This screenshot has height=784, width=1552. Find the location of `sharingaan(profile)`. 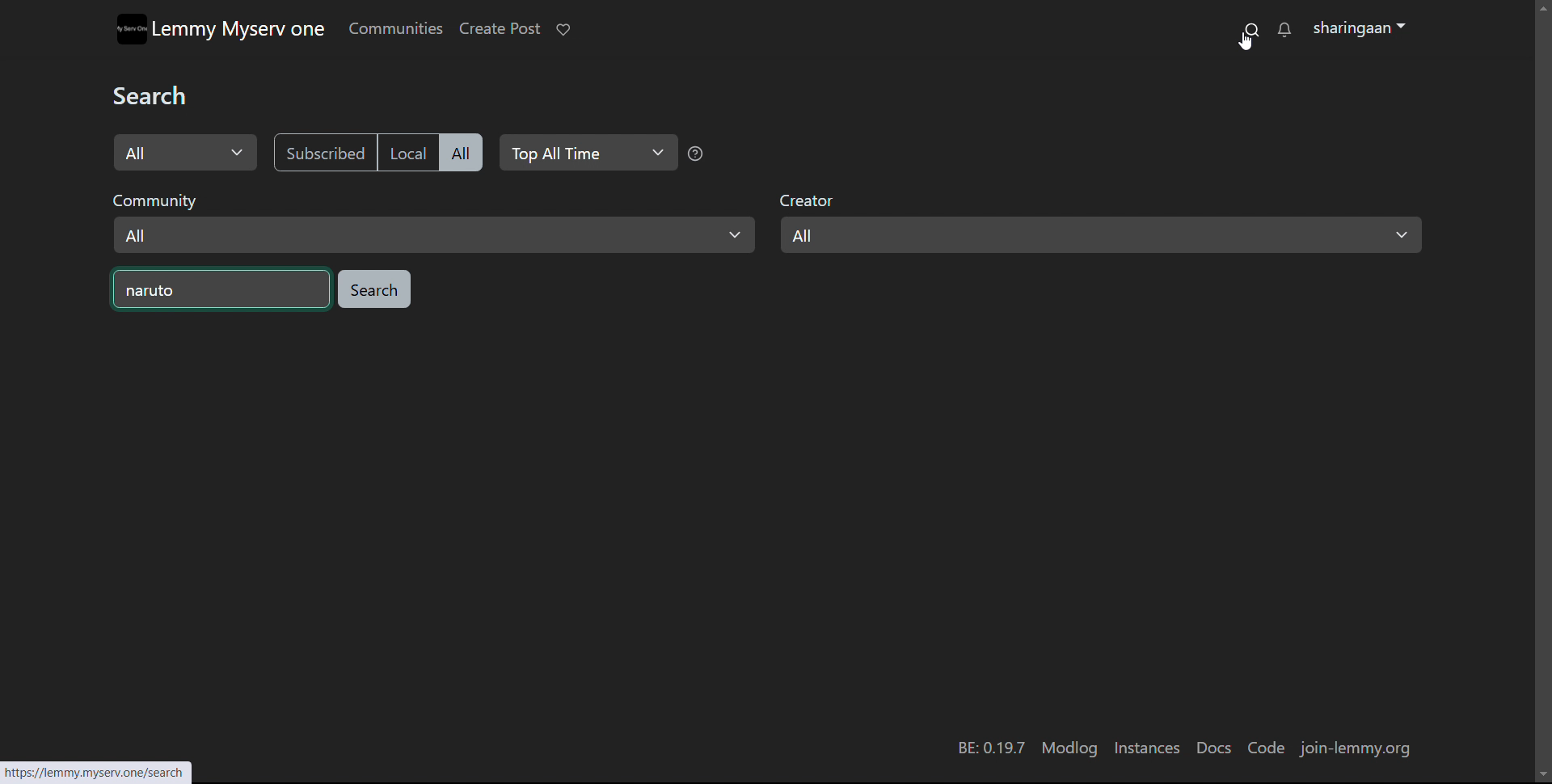

sharingaan(profile) is located at coordinates (1362, 28).